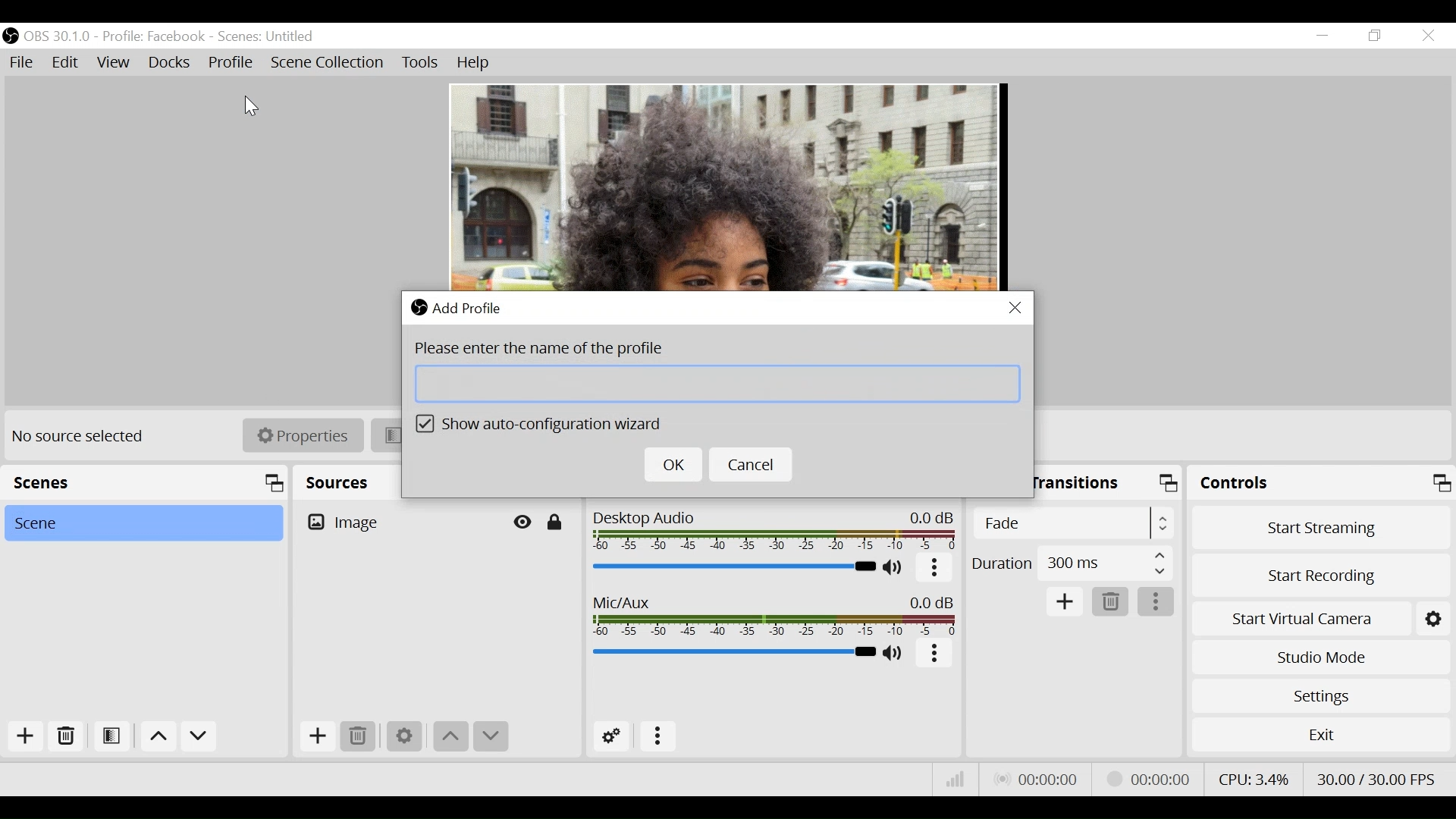 The image size is (1456, 819). Describe the element at coordinates (1079, 482) in the screenshot. I see `Transitions` at that location.